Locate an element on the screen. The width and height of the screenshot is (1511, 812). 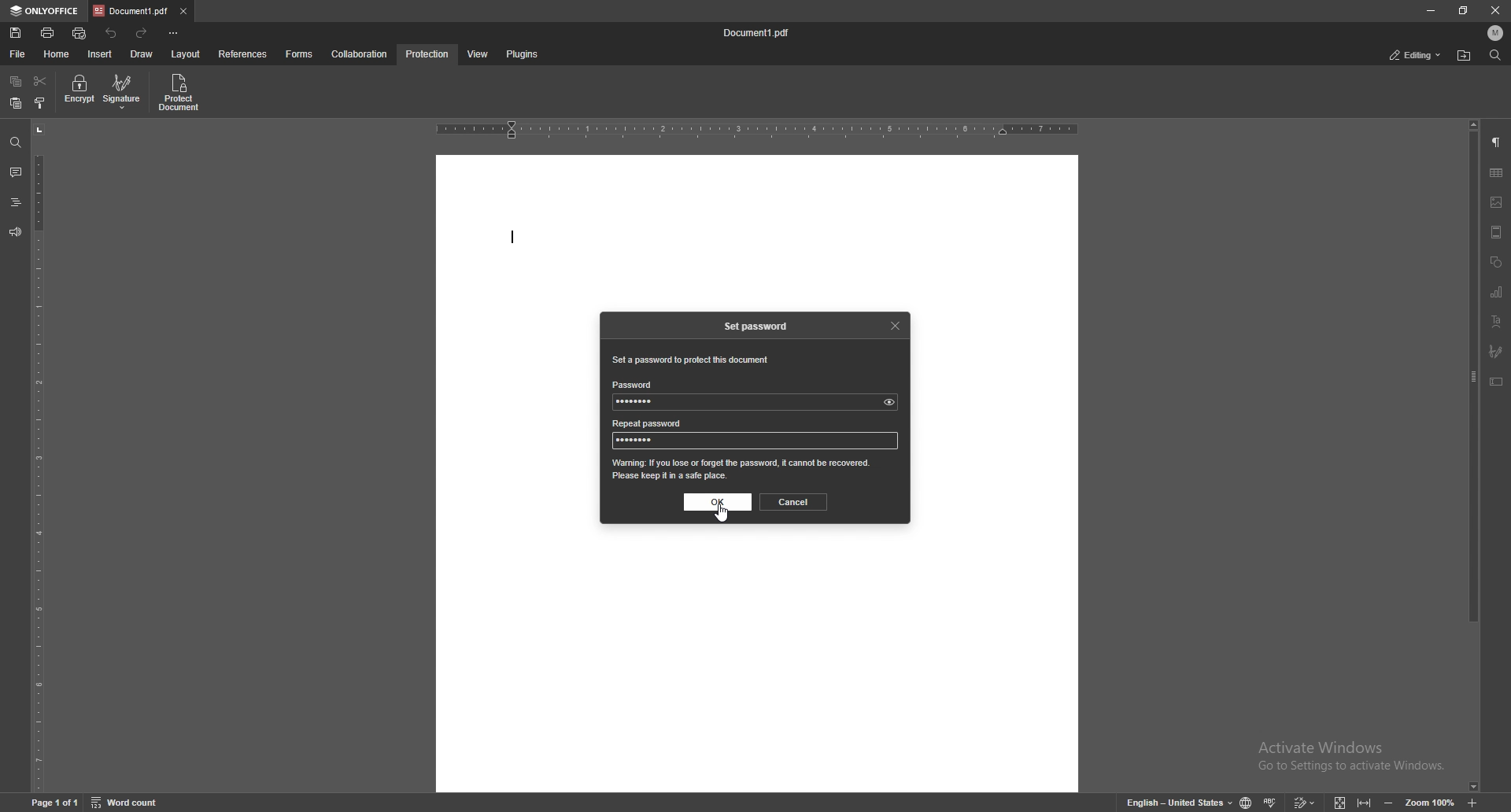
chart is located at coordinates (1497, 291).